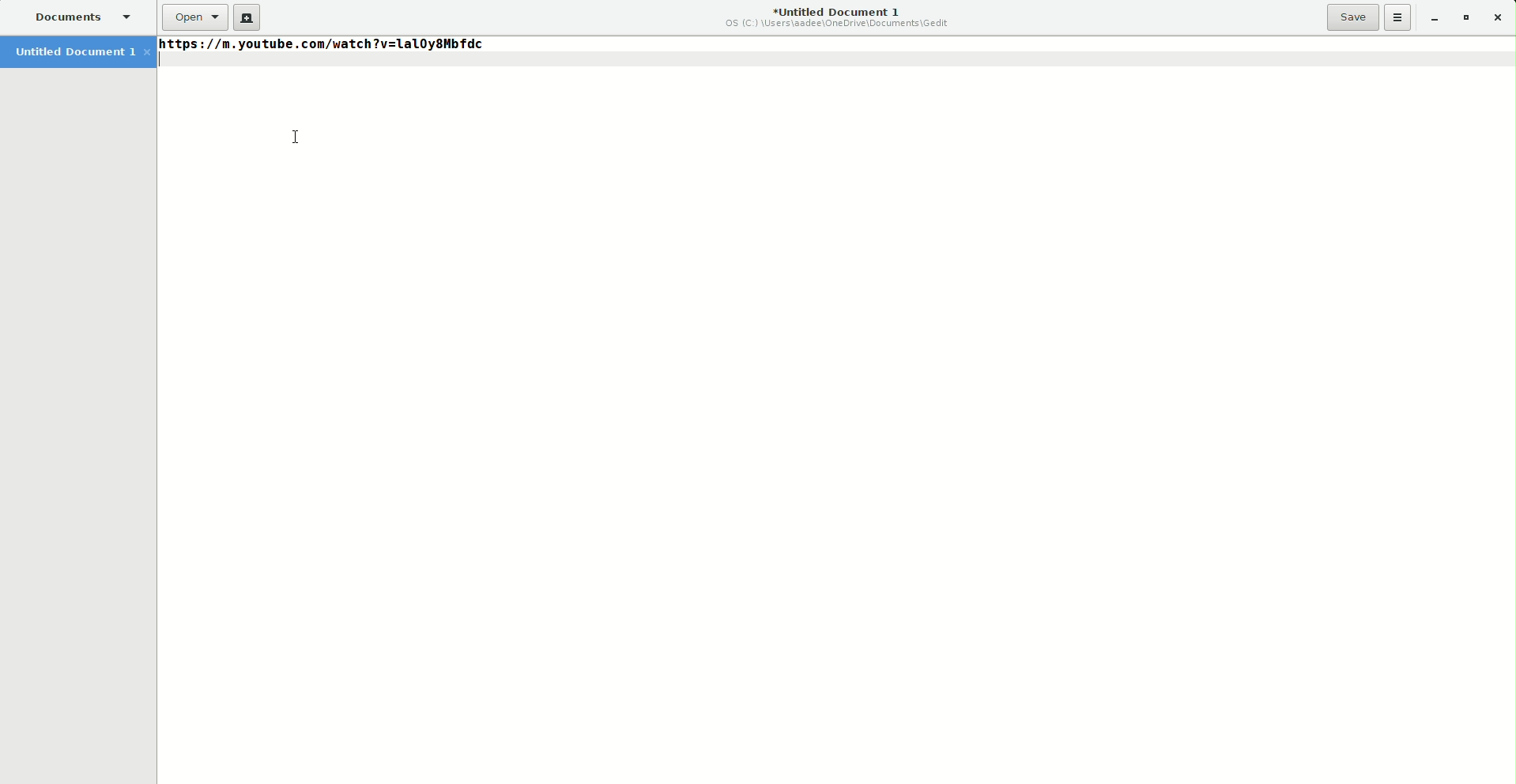  I want to click on Cursor, so click(298, 138).